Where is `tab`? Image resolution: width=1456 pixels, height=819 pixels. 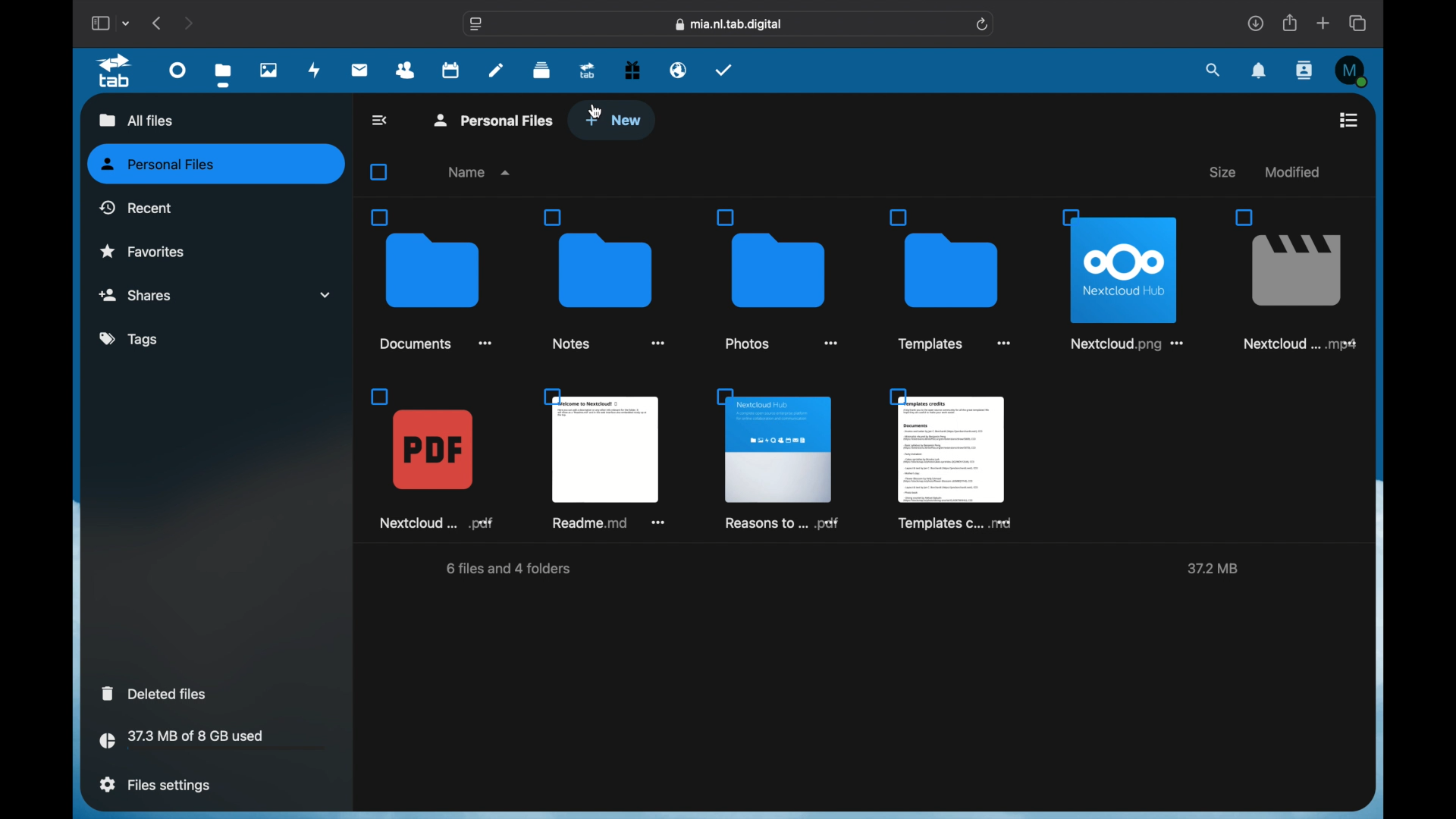
tab is located at coordinates (118, 71).